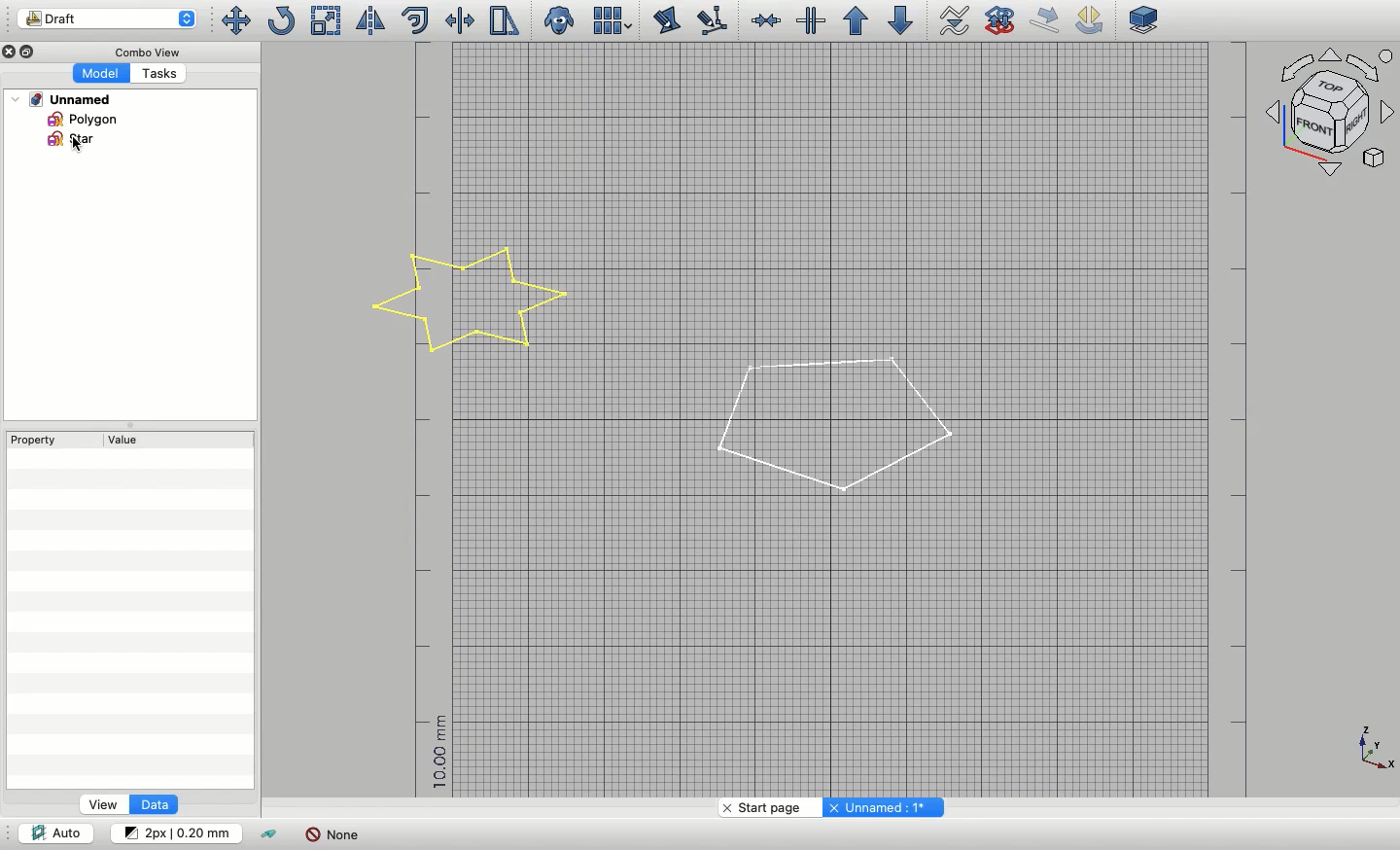  What do you see at coordinates (949, 21) in the screenshot?
I see `Wire to b-spline` at bounding box center [949, 21].